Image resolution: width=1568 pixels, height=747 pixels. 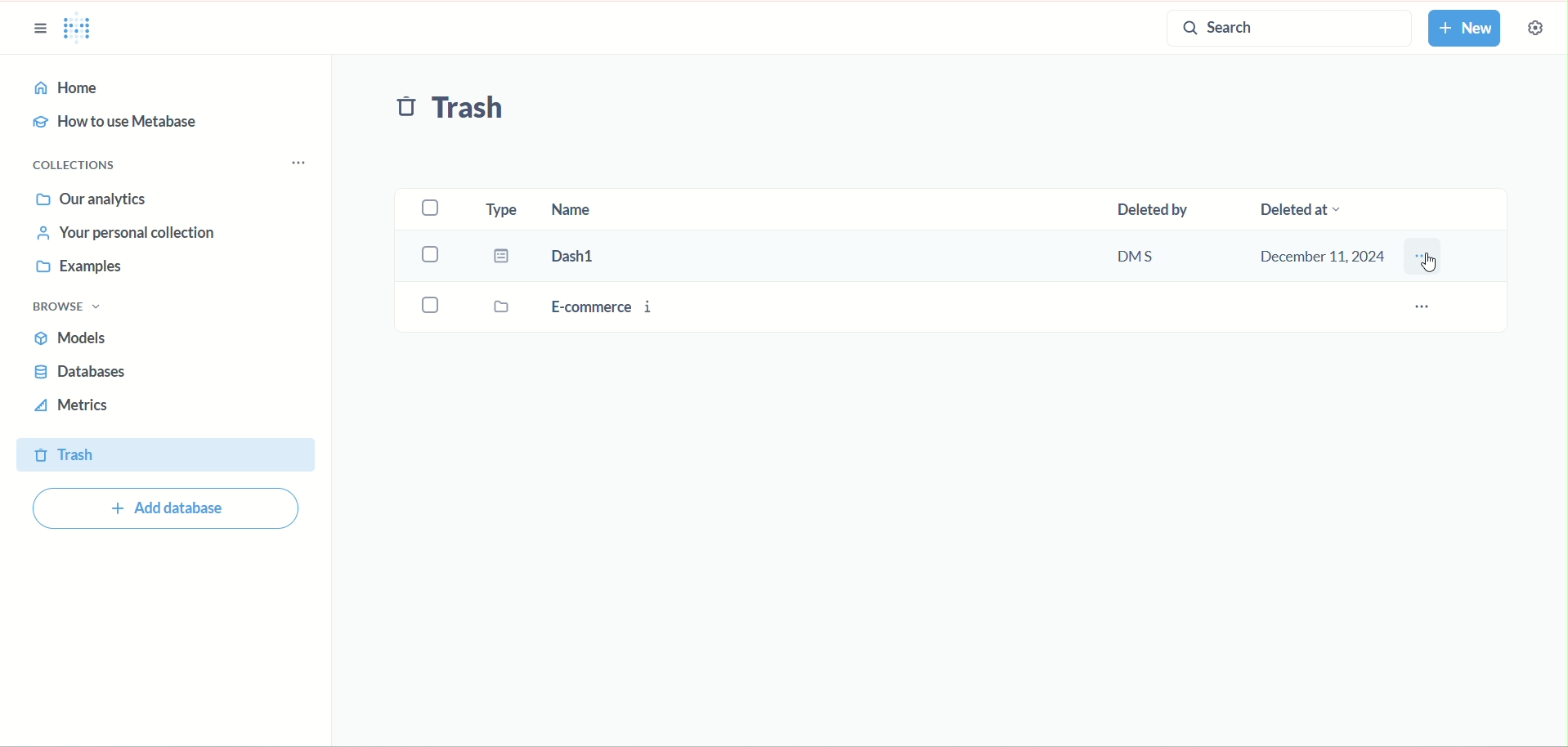 I want to click on Metabase logo, so click(x=83, y=30).